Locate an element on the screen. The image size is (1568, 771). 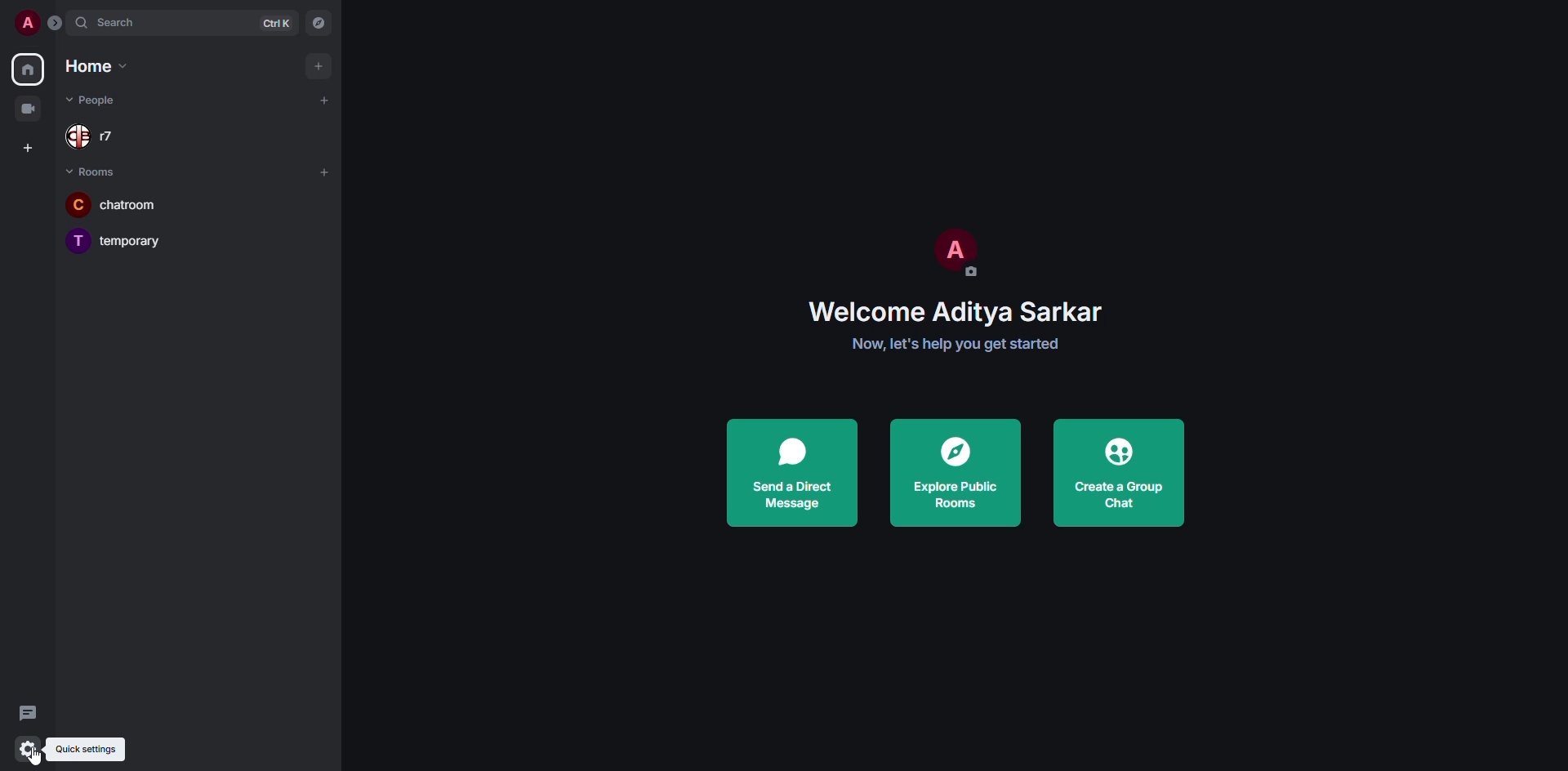
add is located at coordinates (317, 64).